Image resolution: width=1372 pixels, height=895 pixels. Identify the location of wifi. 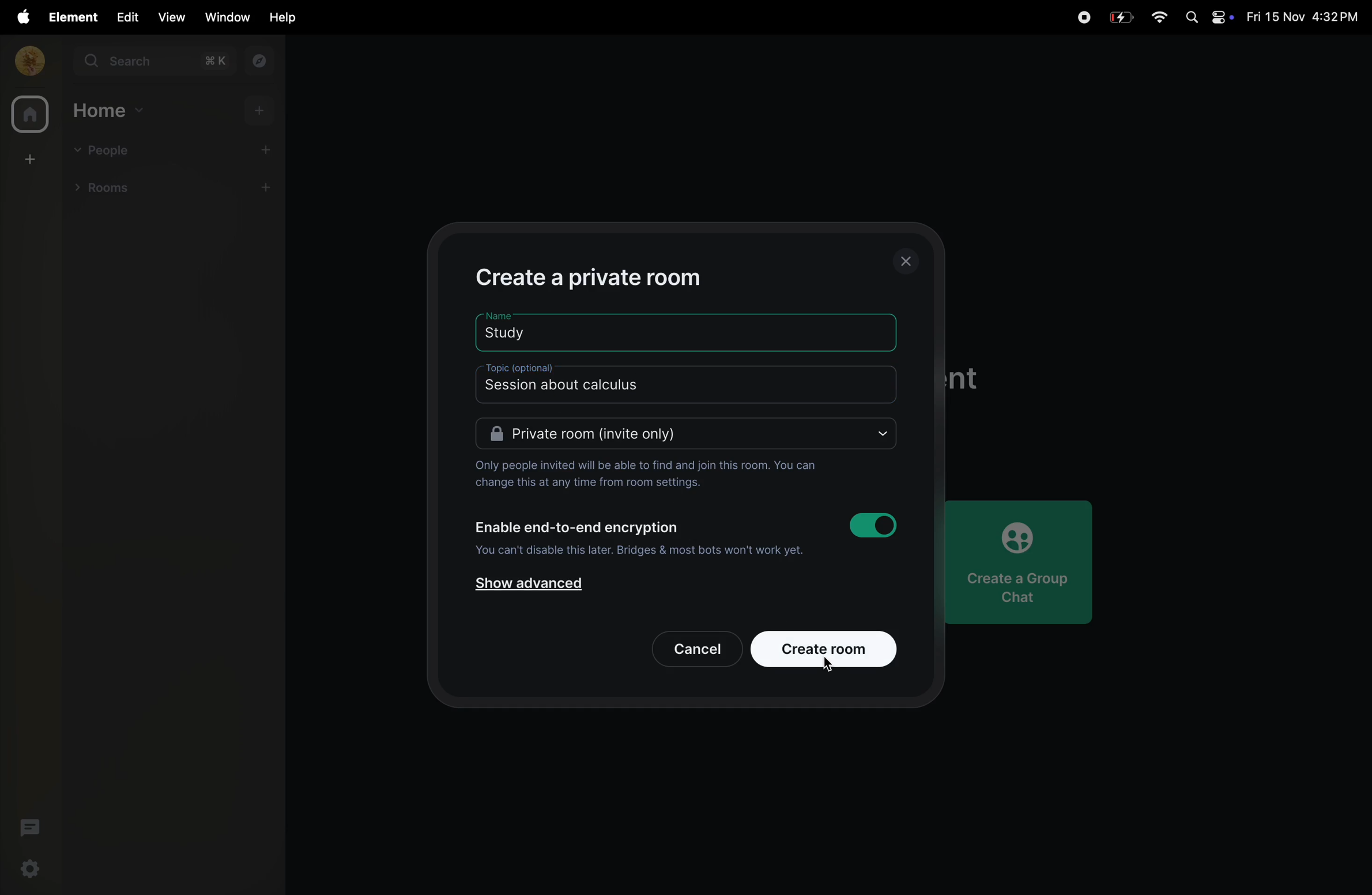
(1159, 18).